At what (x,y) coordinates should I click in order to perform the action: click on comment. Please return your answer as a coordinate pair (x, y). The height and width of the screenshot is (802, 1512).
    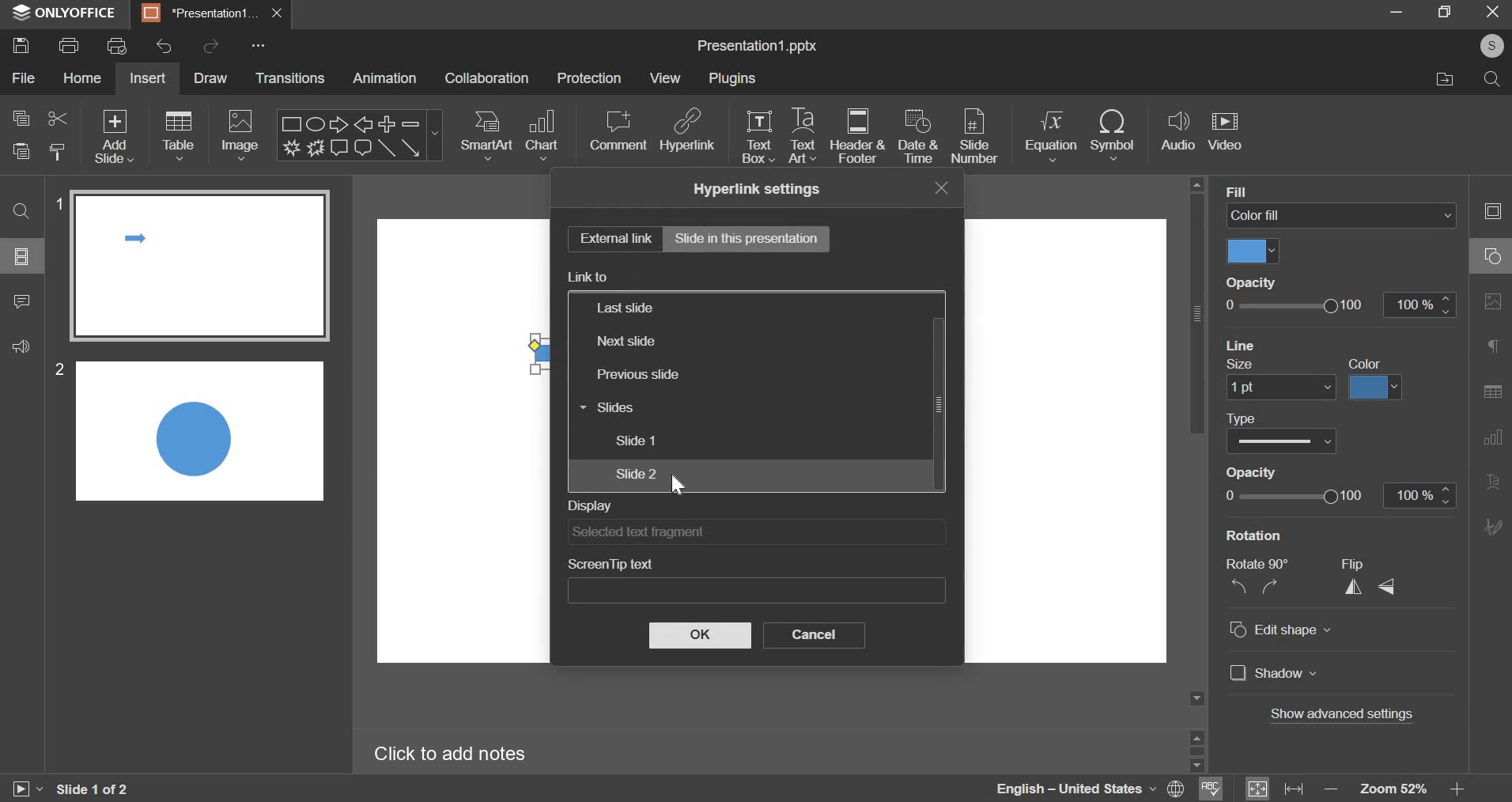
    Looking at the image, I should click on (619, 131).